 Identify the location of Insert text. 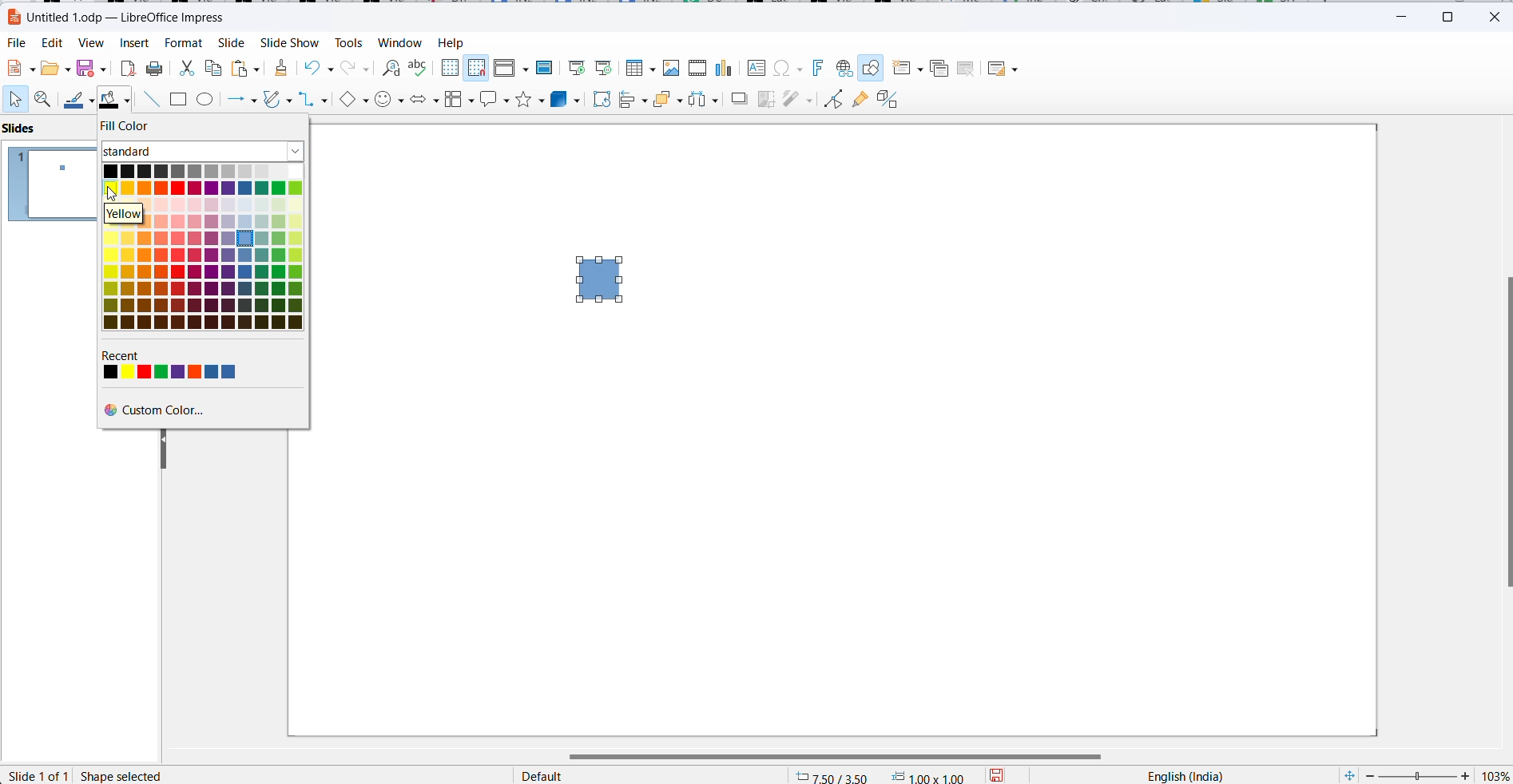
(757, 67).